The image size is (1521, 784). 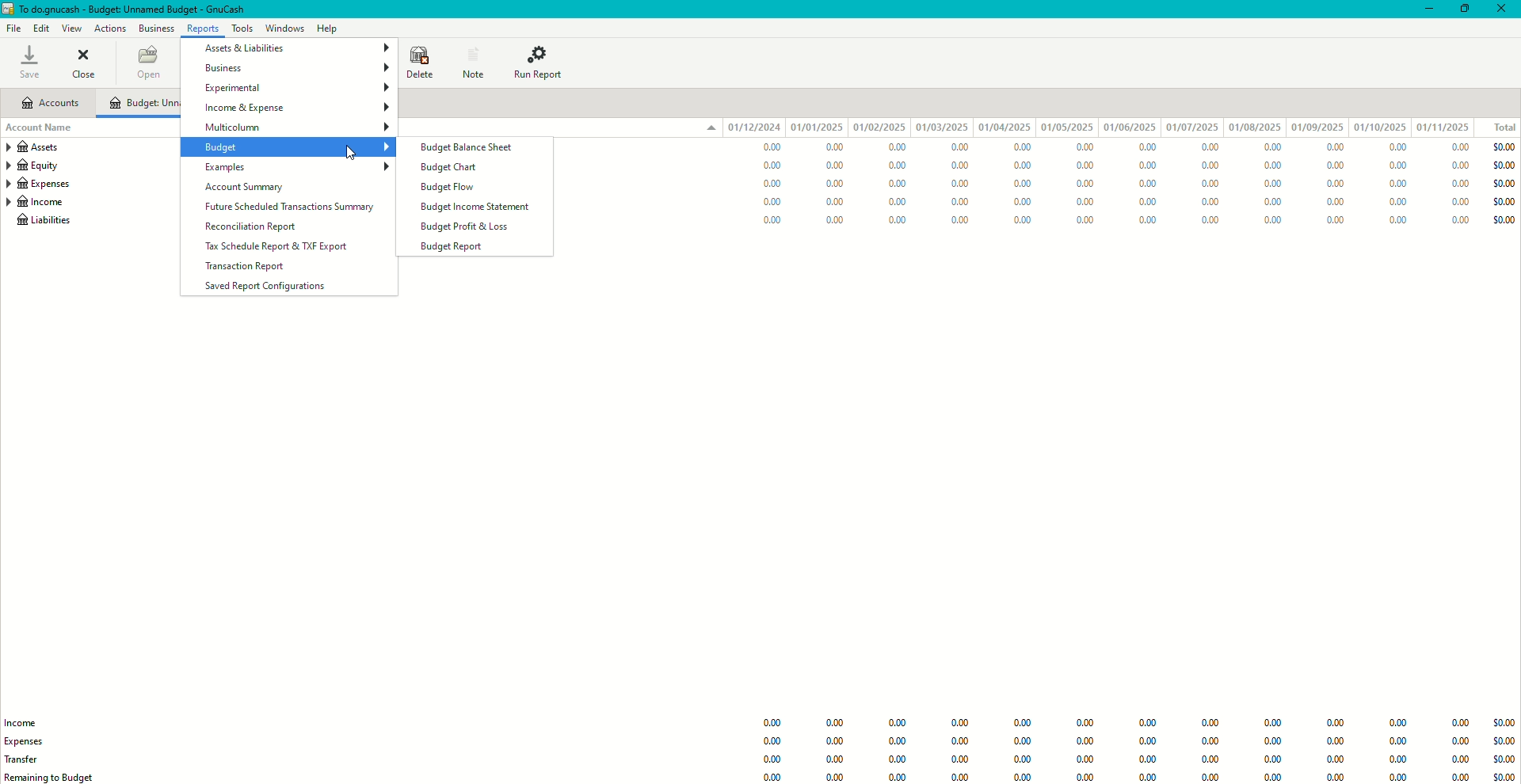 I want to click on Run Report, so click(x=543, y=62).